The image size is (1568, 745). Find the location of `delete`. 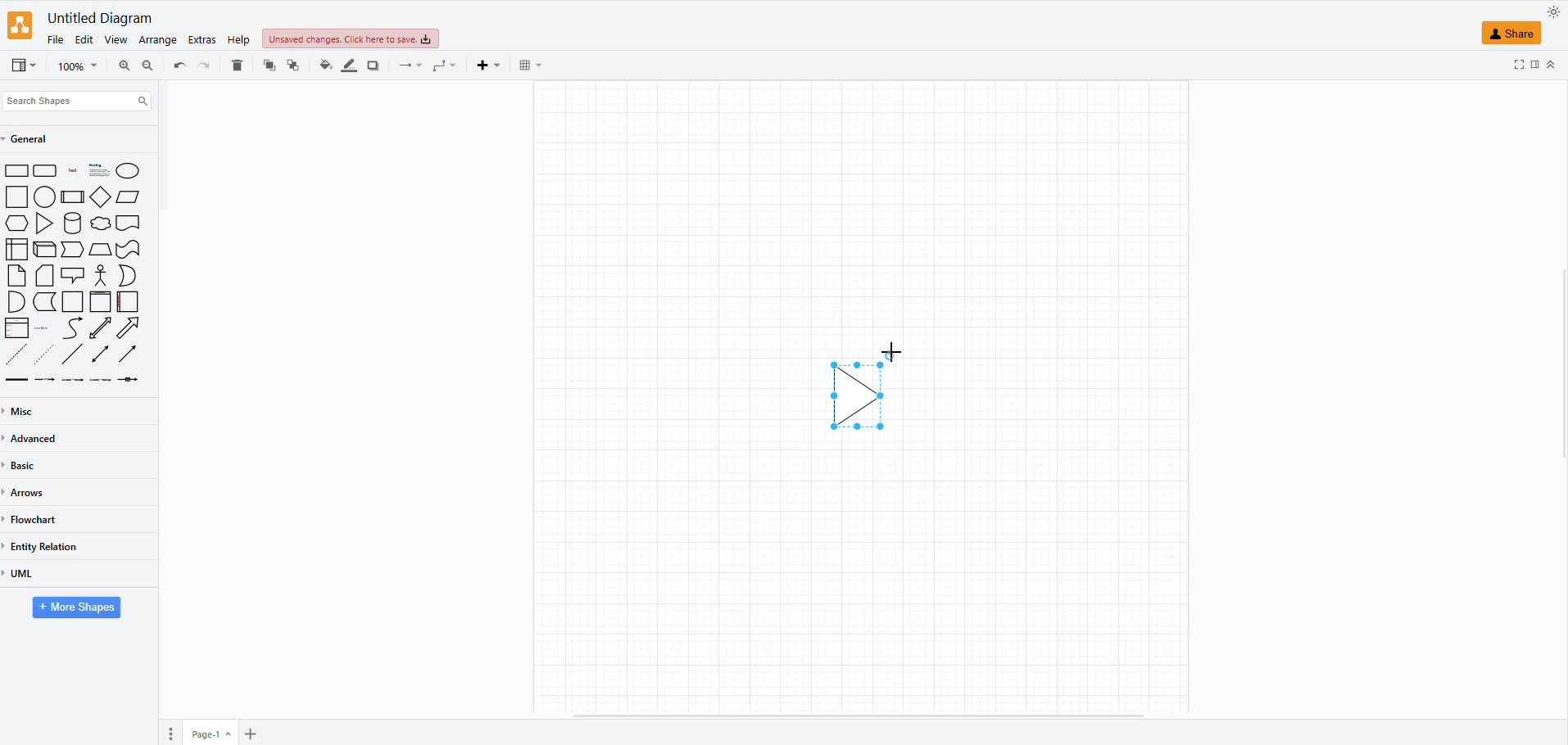

delete is located at coordinates (238, 61).